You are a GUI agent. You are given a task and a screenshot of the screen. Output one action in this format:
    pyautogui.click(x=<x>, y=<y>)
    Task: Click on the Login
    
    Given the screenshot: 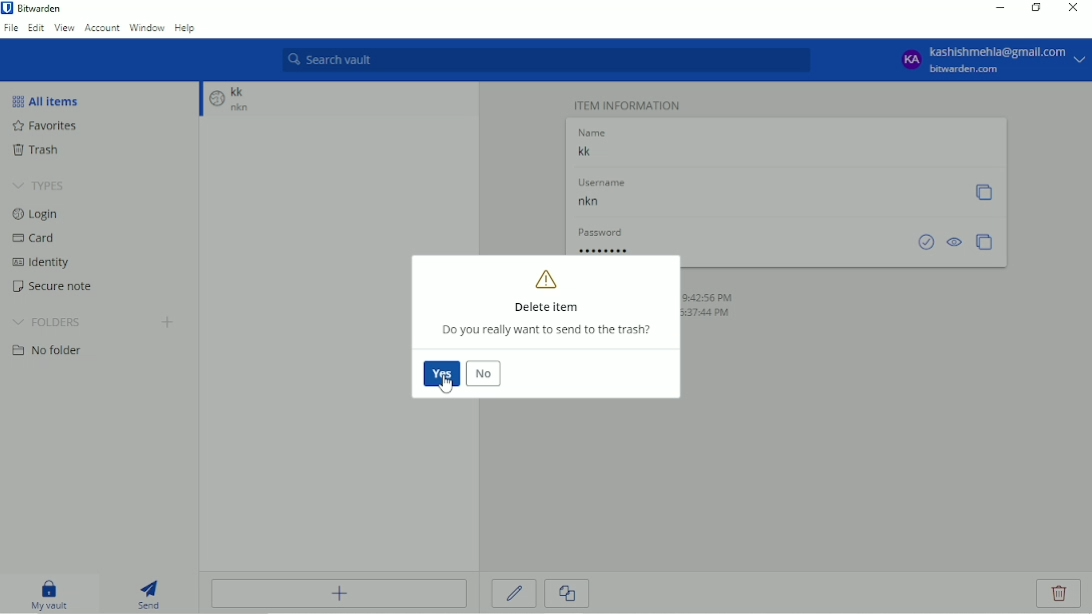 What is the action you would take?
    pyautogui.click(x=42, y=216)
    